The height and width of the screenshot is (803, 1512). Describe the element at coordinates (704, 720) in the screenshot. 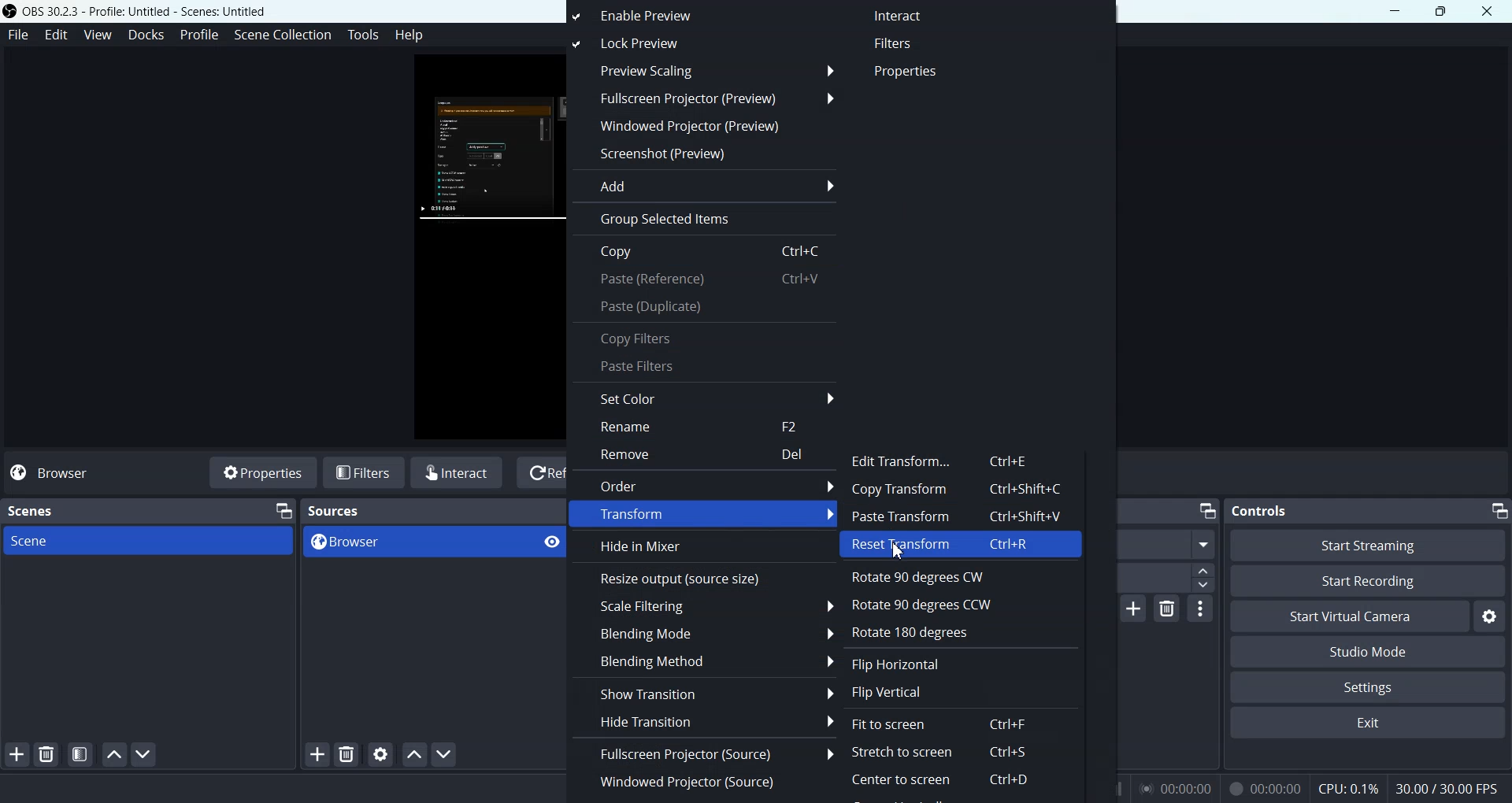

I see `` at that location.